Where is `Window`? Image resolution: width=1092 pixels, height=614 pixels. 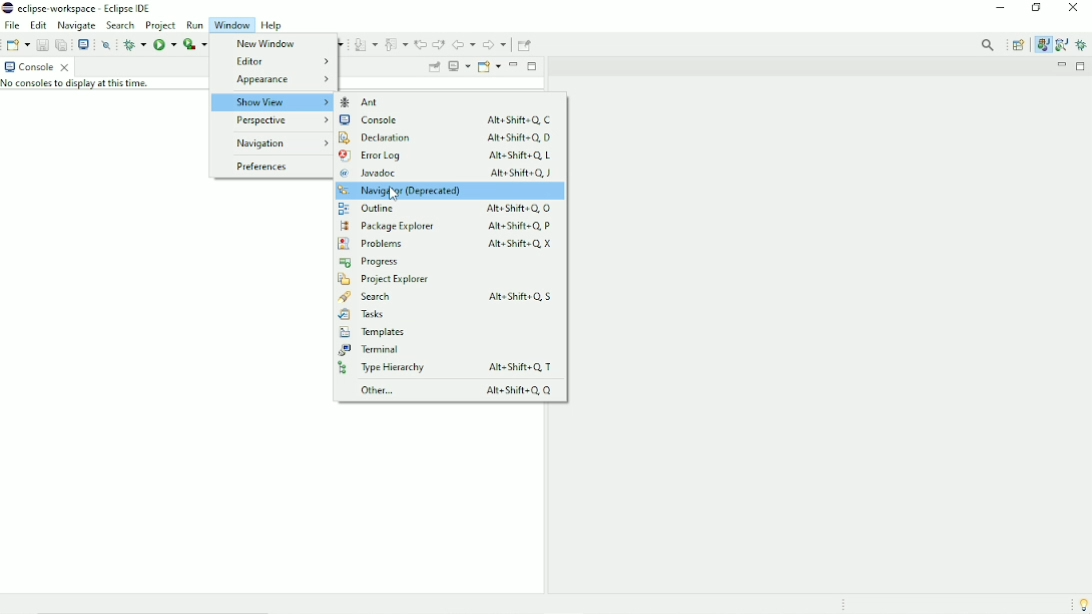
Window is located at coordinates (232, 25).